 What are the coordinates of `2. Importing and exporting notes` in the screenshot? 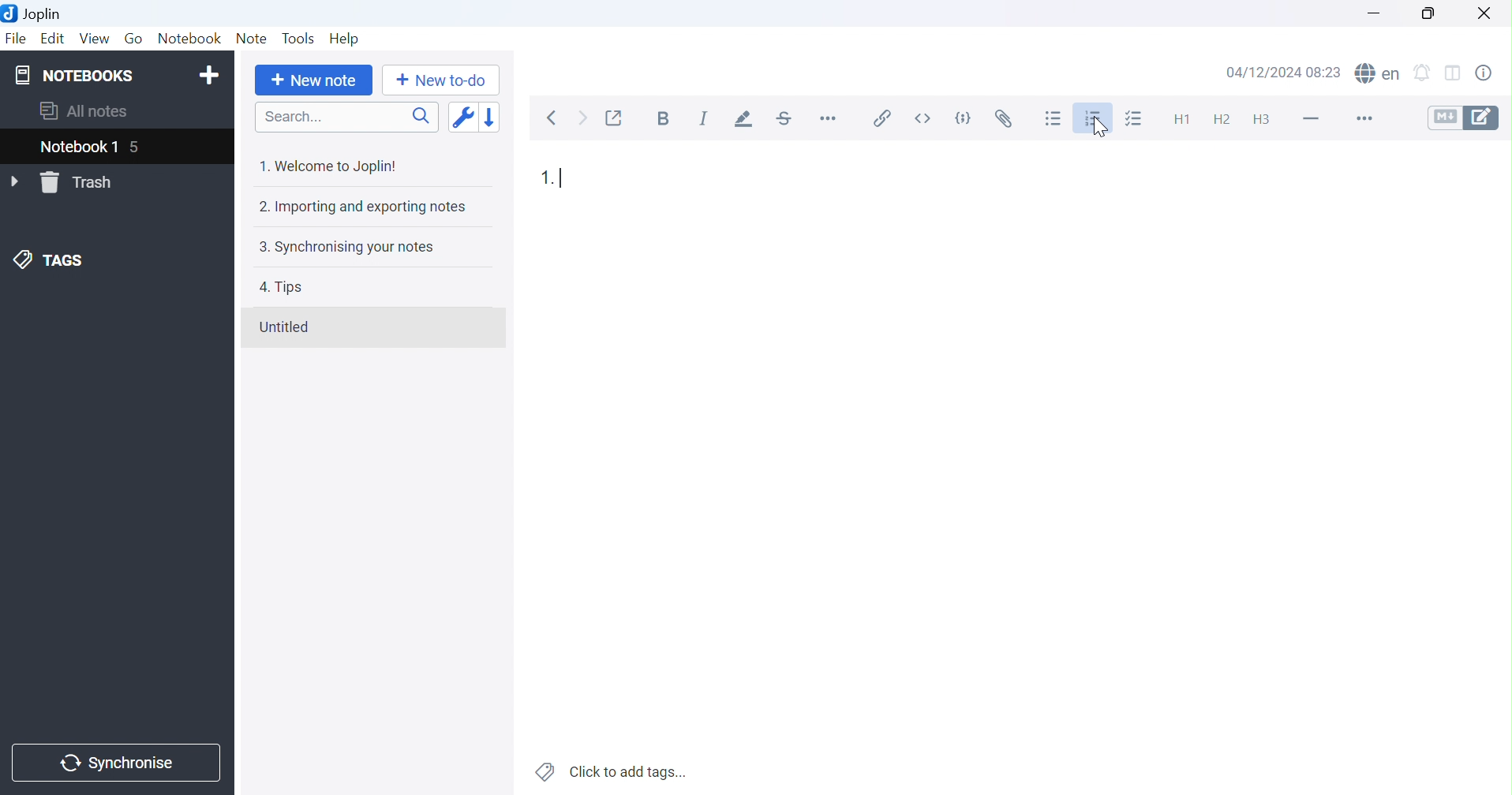 It's located at (361, 207).